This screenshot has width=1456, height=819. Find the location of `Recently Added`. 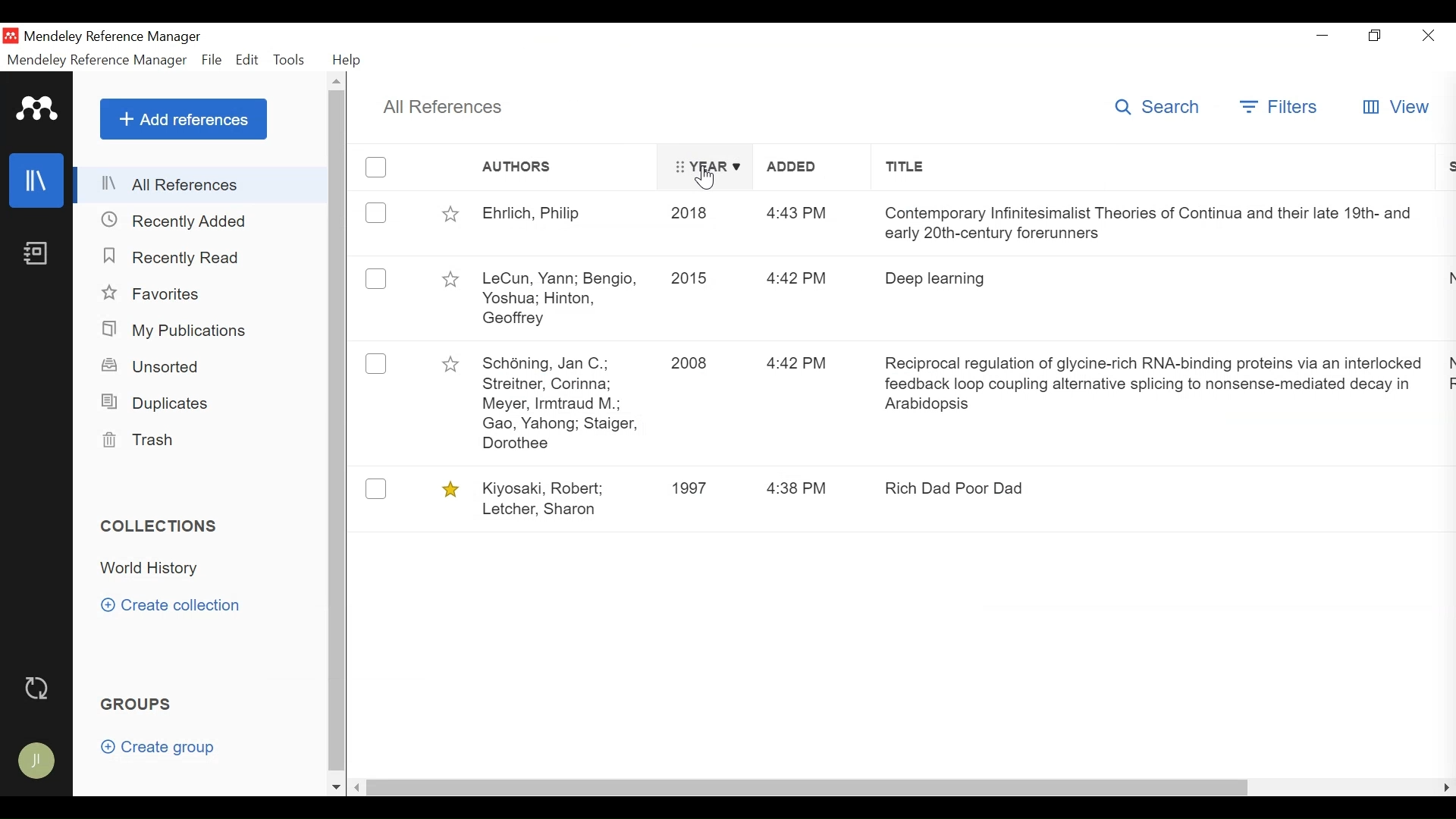

Recently Added is located at coordinates (178, 221).